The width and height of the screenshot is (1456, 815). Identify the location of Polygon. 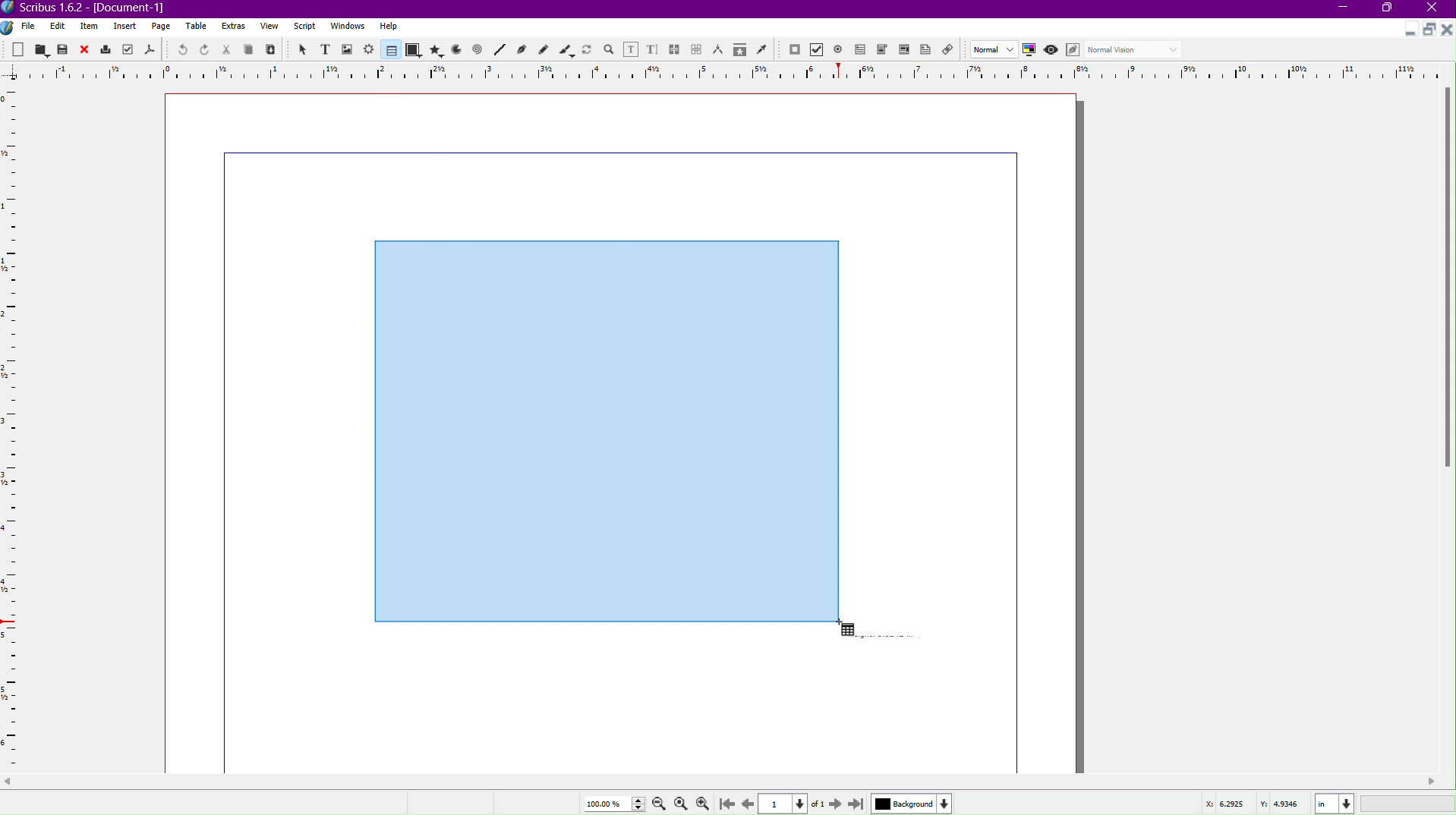
(437, 50).